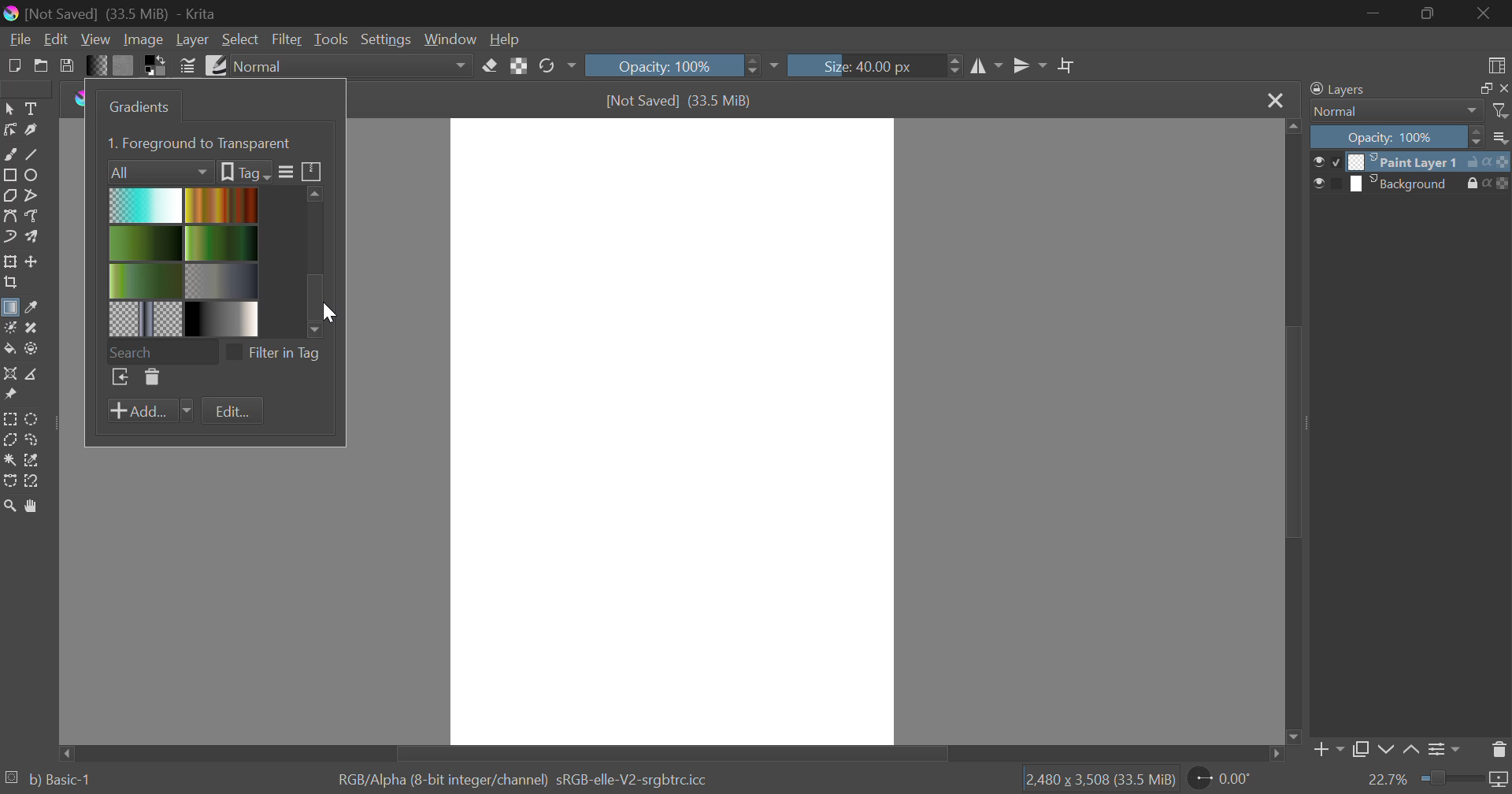 The width and height of the screenshot is (1512, 794). Describe the element at coordinates (1437, 781) in the screenshot. I see `22.7%` at that location.